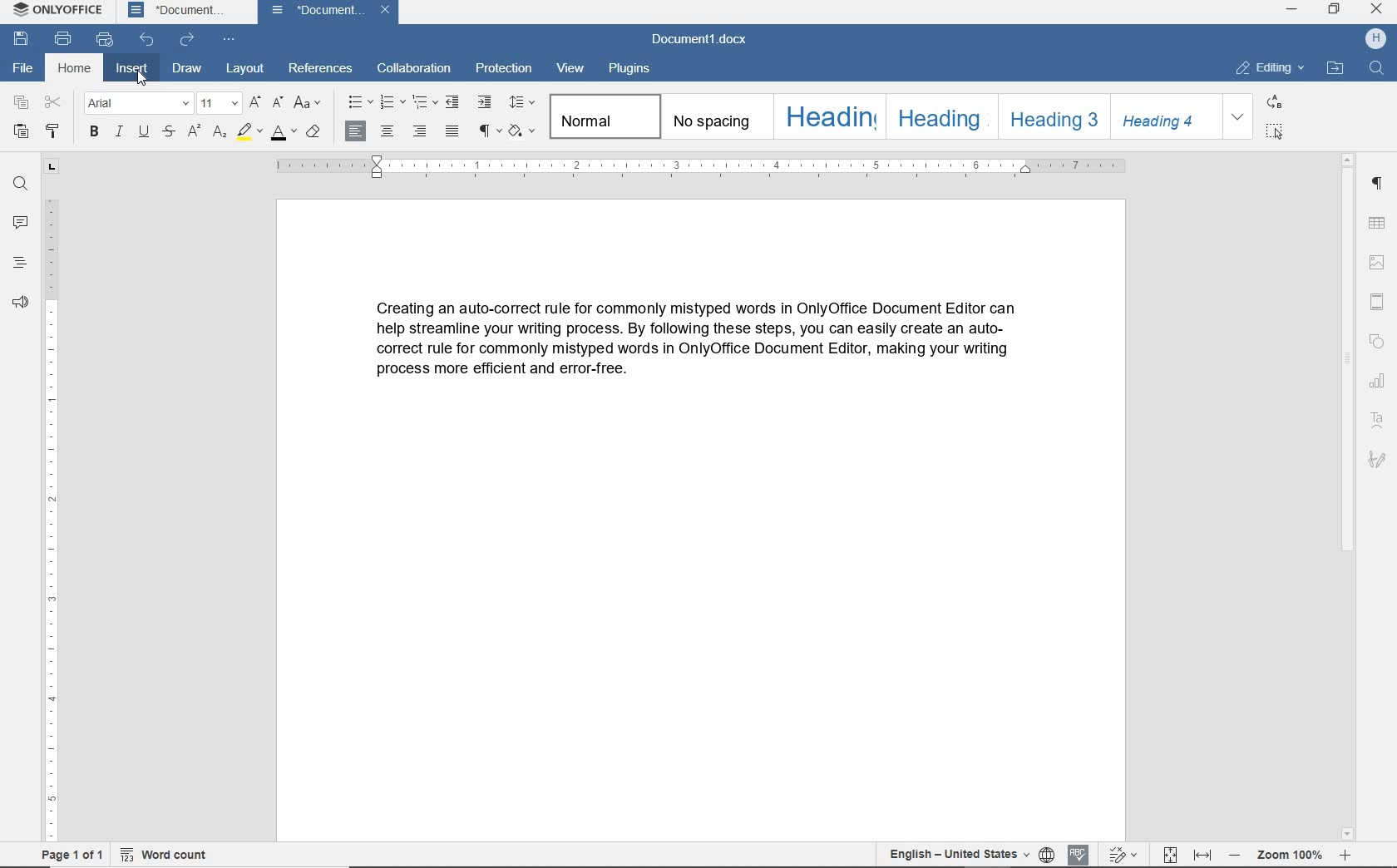 Image resolution: width=1397 pixels, height=868 pixels. Describe the element at coordinates (485, 103) in the screenshot. I see `increase indent` at that location.